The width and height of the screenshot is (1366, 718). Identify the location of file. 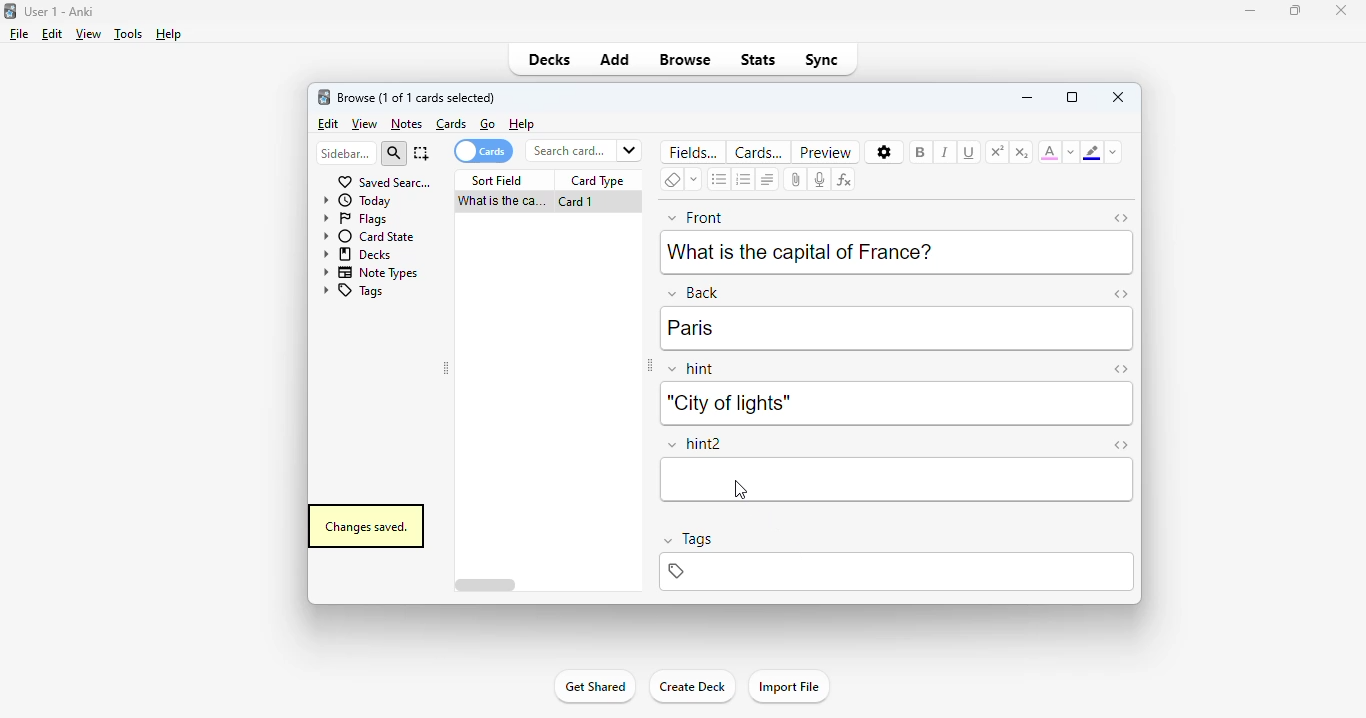
(19, 34).